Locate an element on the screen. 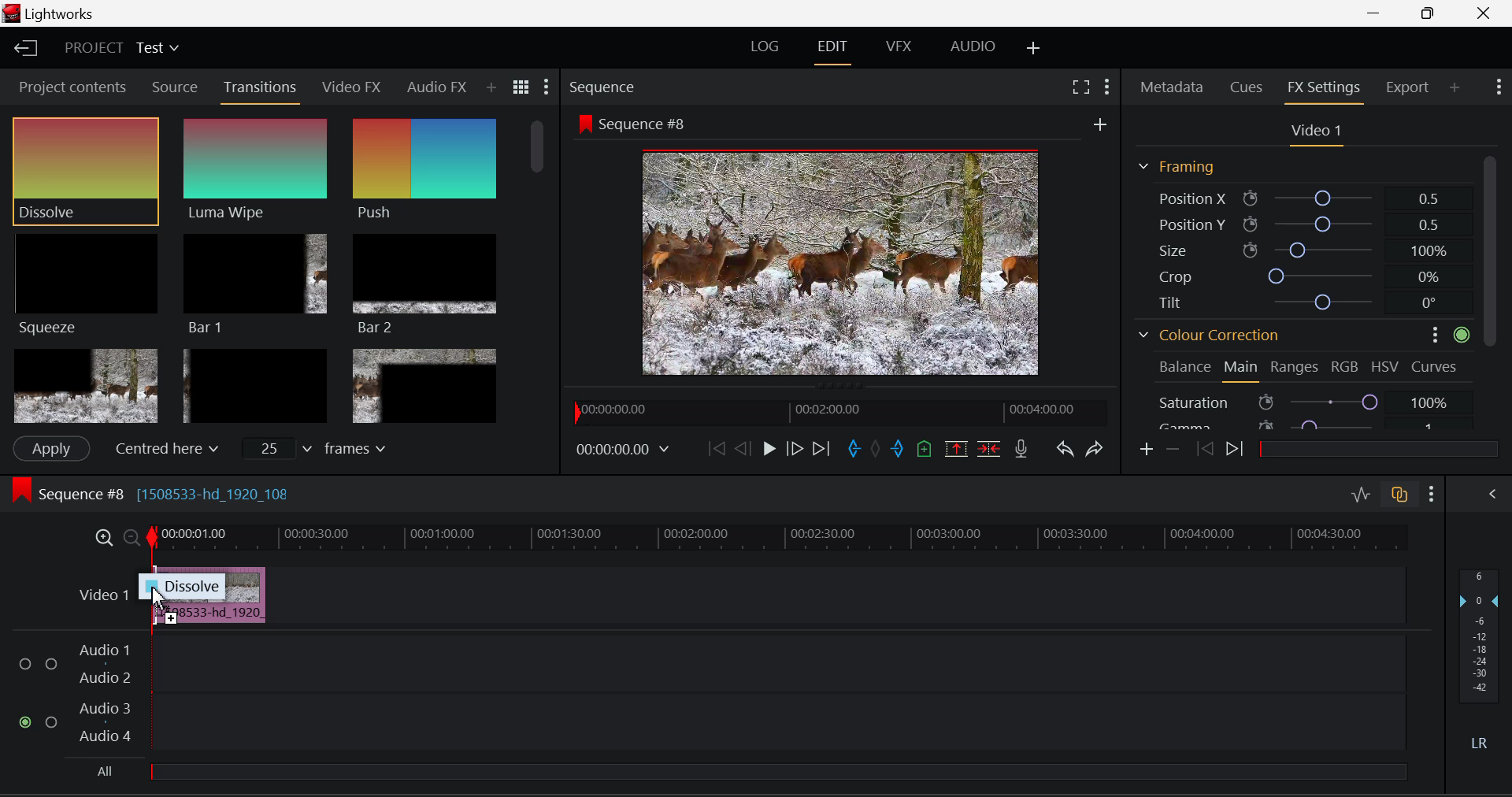 Image resolution: width=1512 pixels, height=797 pixels. Cues is located at coordinates (1246, 87).